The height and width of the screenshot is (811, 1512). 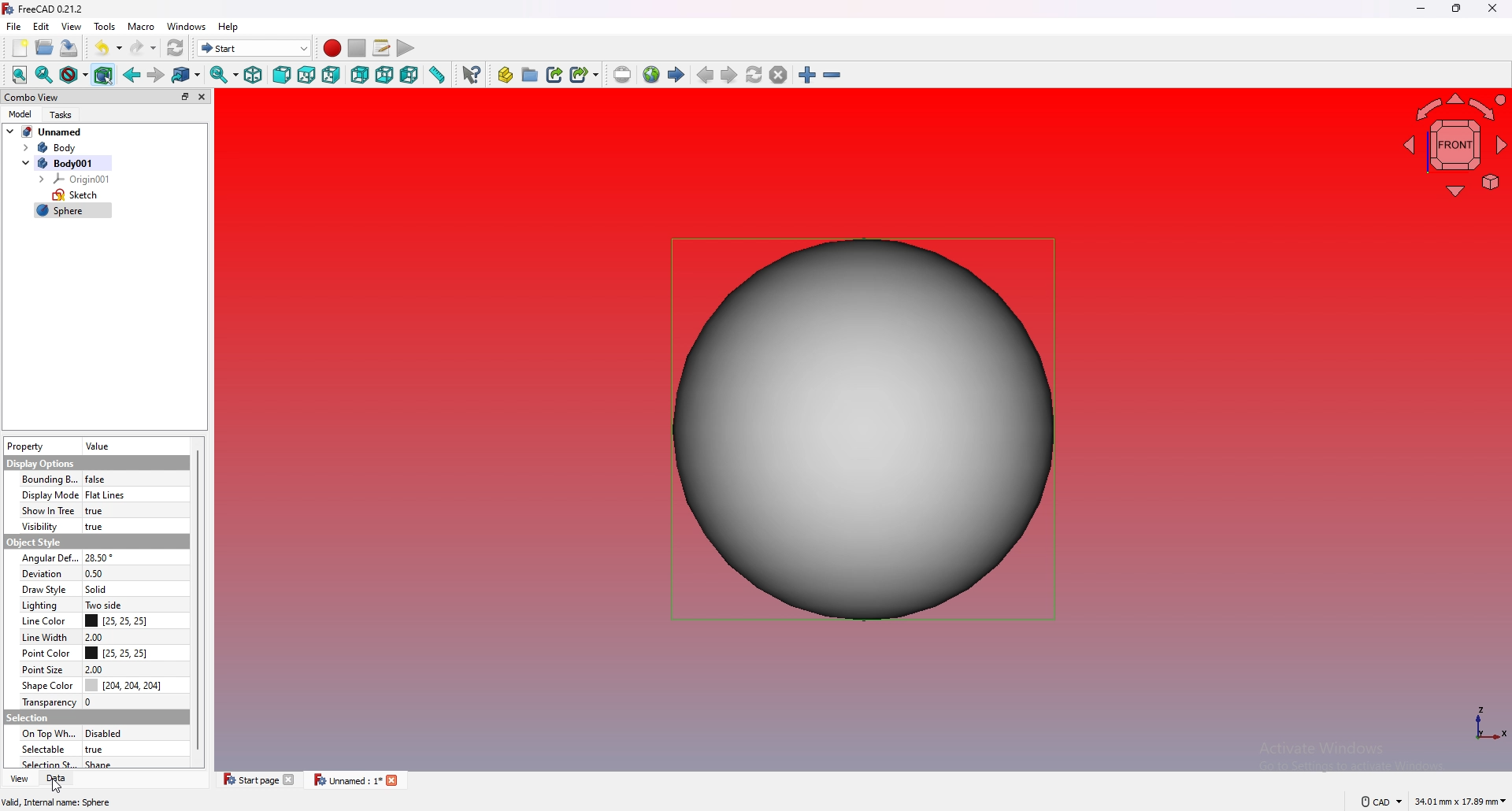 What do you see at coordinates (406, 48) in the screenshot?
I see `execute macro` at bounding box center [406, 48].